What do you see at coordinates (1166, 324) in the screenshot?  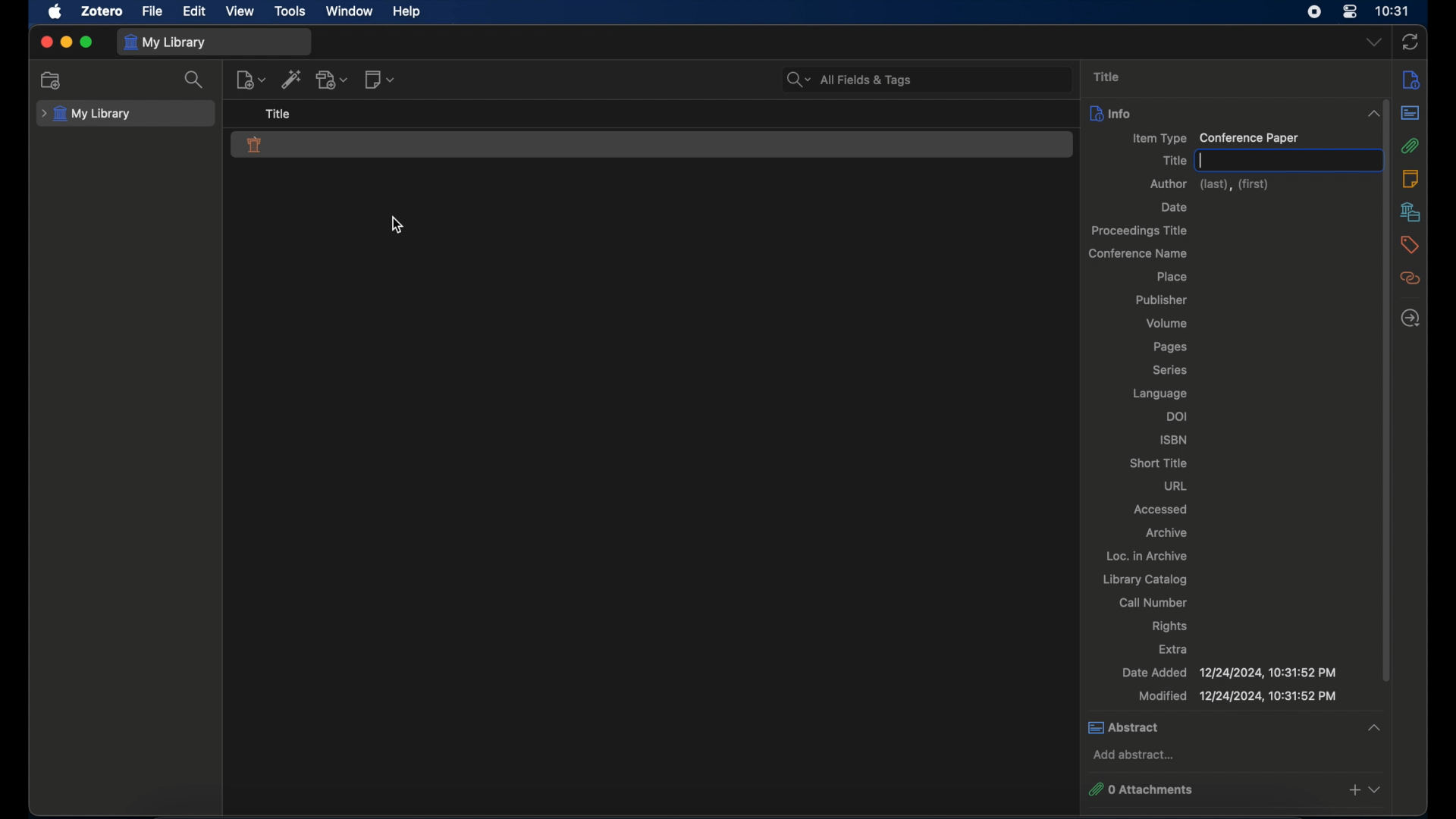 I see `volume` at bounding box center [1166, 324].